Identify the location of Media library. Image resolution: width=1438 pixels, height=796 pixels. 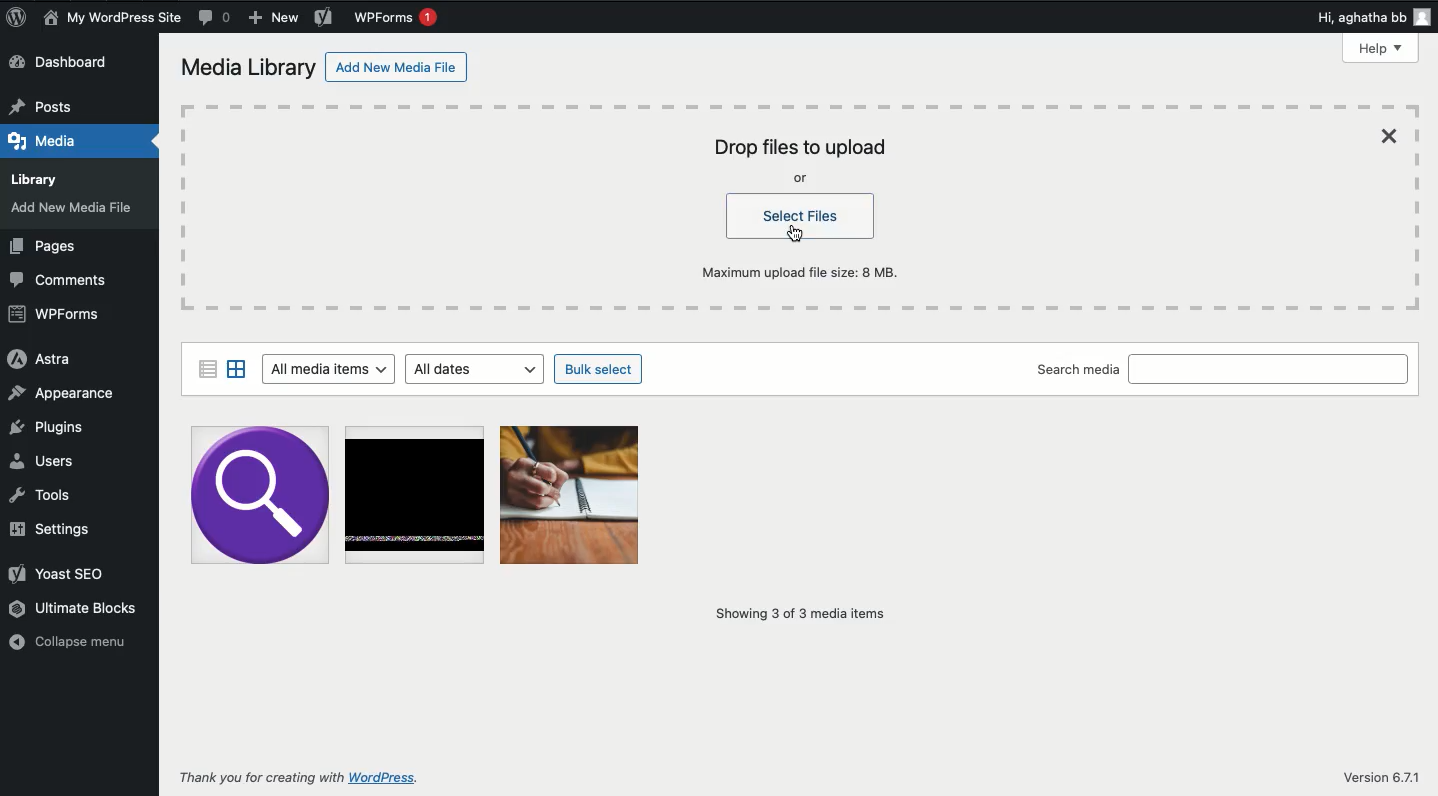
(249, 70).